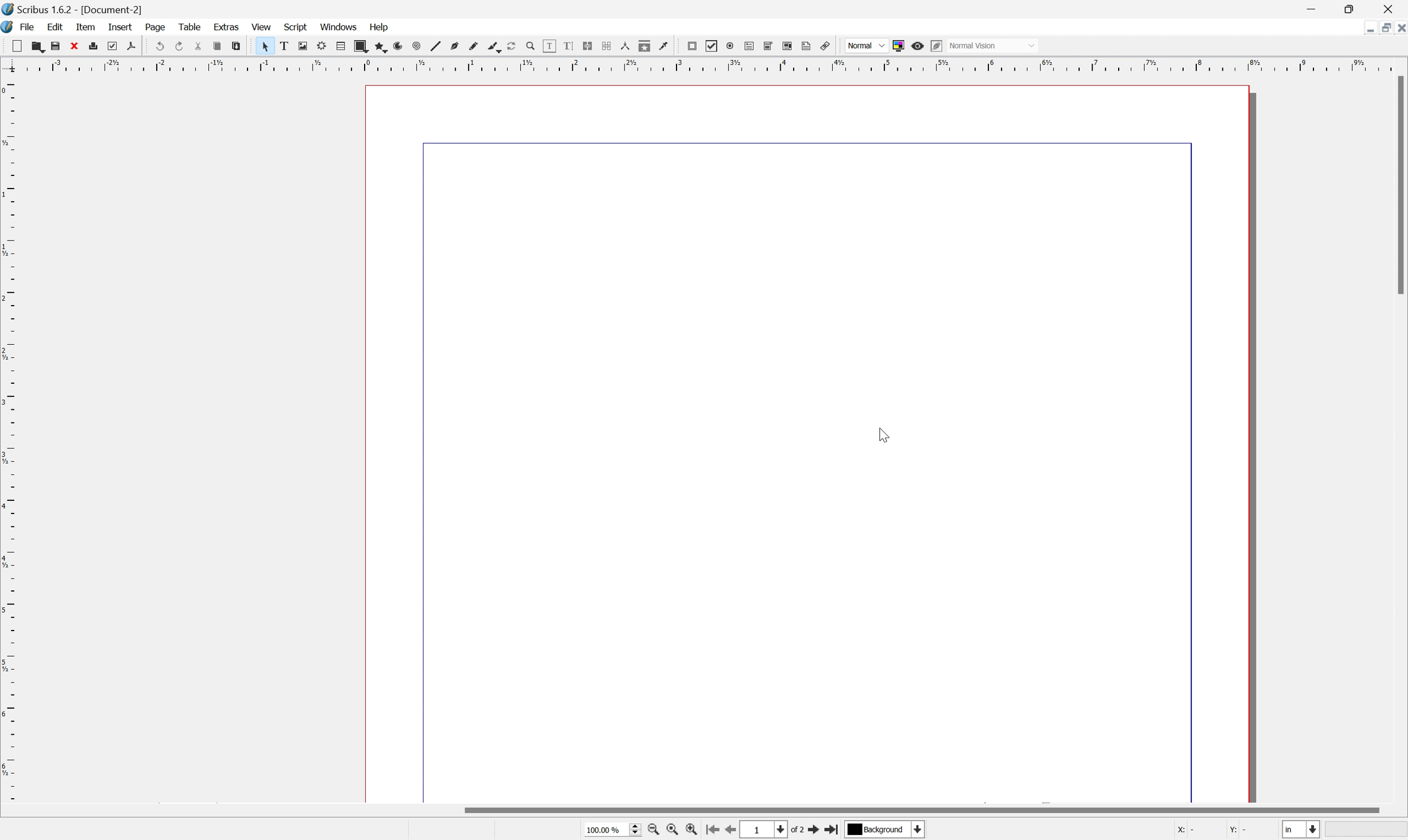  What do you see at coordinates (711, 45) in the screenshot?
I see `PDF checkbox` at bounding box center [711, 45].